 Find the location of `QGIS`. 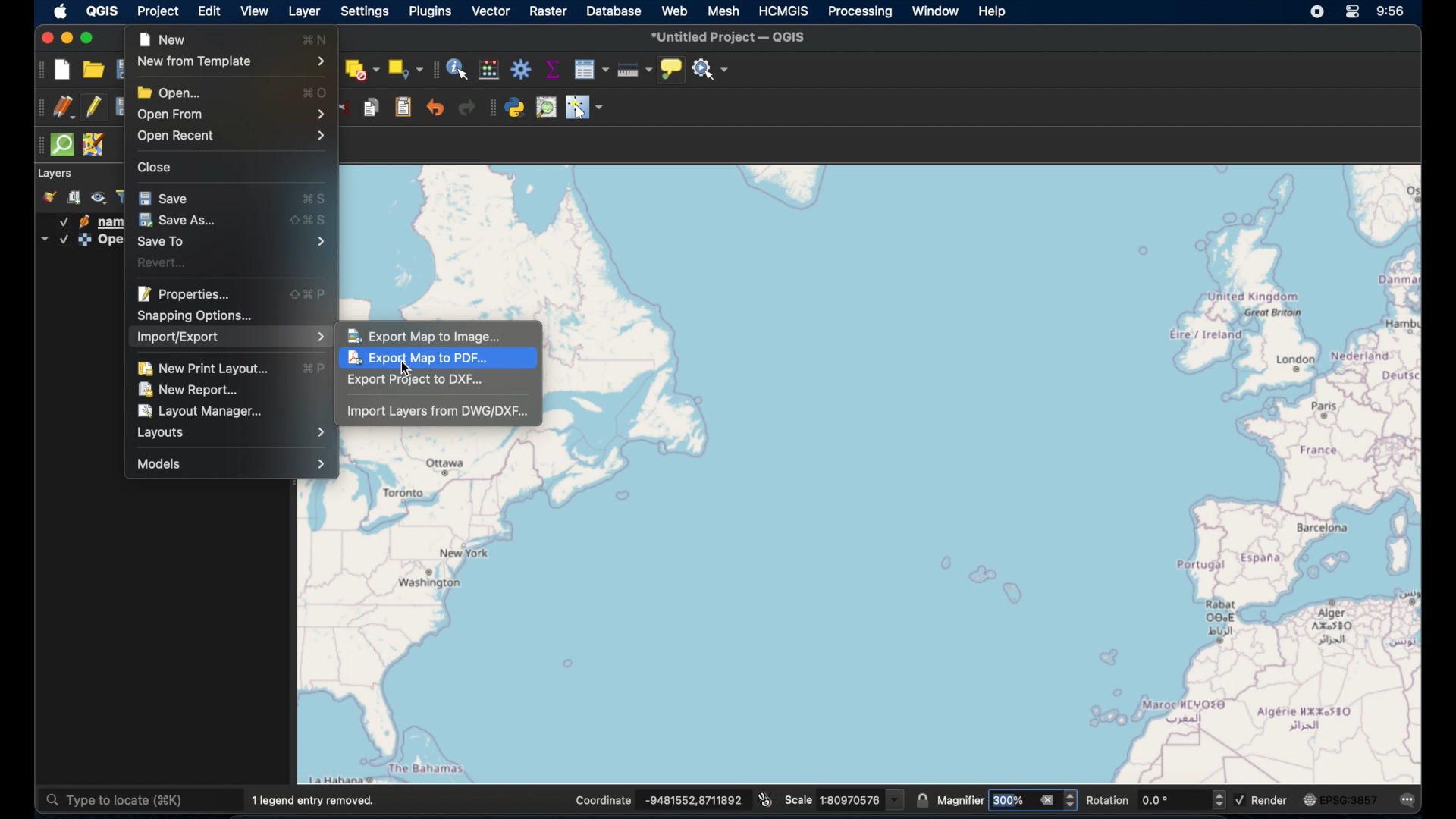

QGIS is located at coordinates (102, 11).